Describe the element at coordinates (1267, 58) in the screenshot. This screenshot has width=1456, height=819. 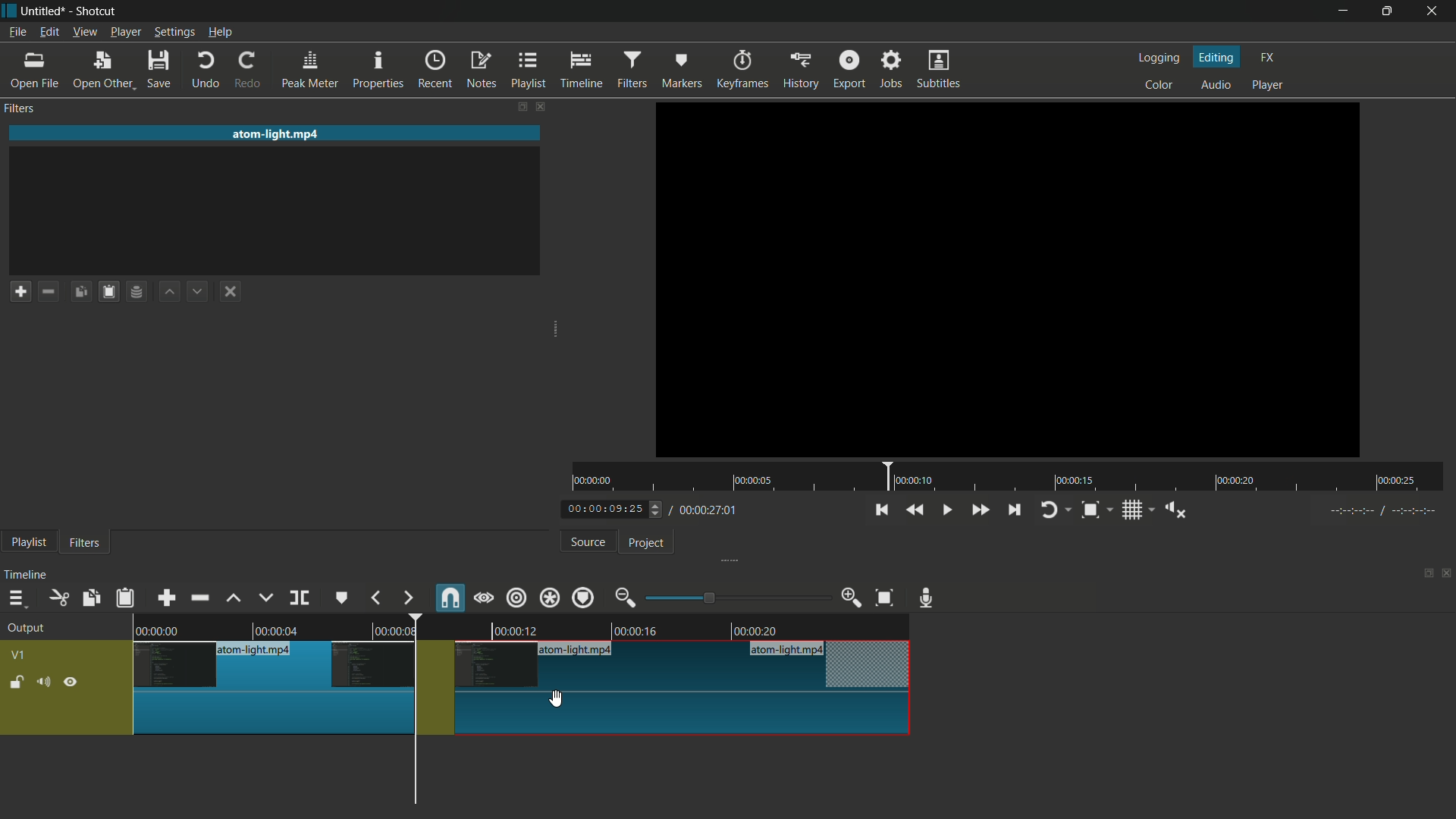
I see `fx` at that location.